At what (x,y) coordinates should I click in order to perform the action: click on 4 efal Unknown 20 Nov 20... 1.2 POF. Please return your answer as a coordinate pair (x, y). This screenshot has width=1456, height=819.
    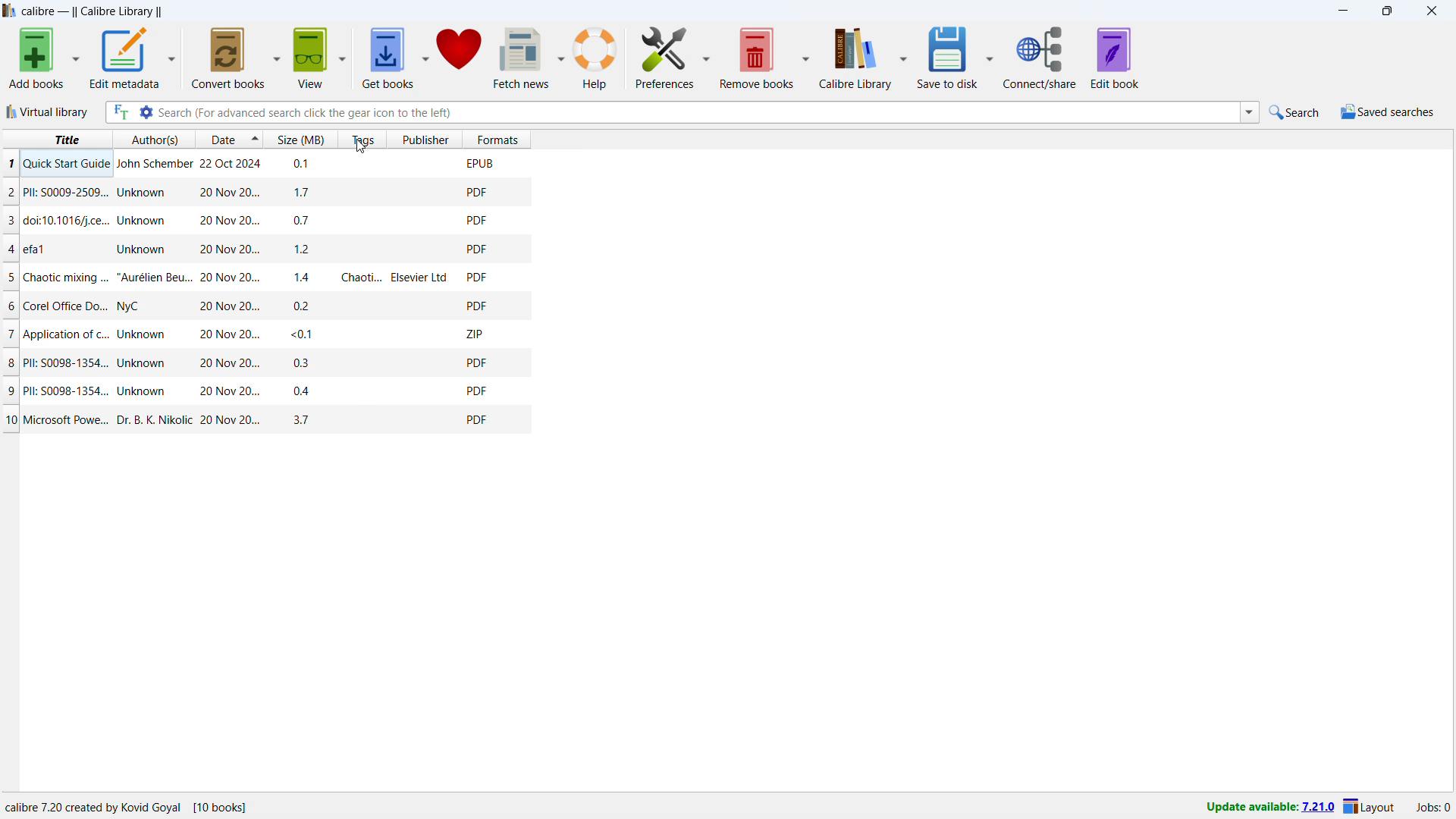
    Looking at the image, I should click on (267, 248).